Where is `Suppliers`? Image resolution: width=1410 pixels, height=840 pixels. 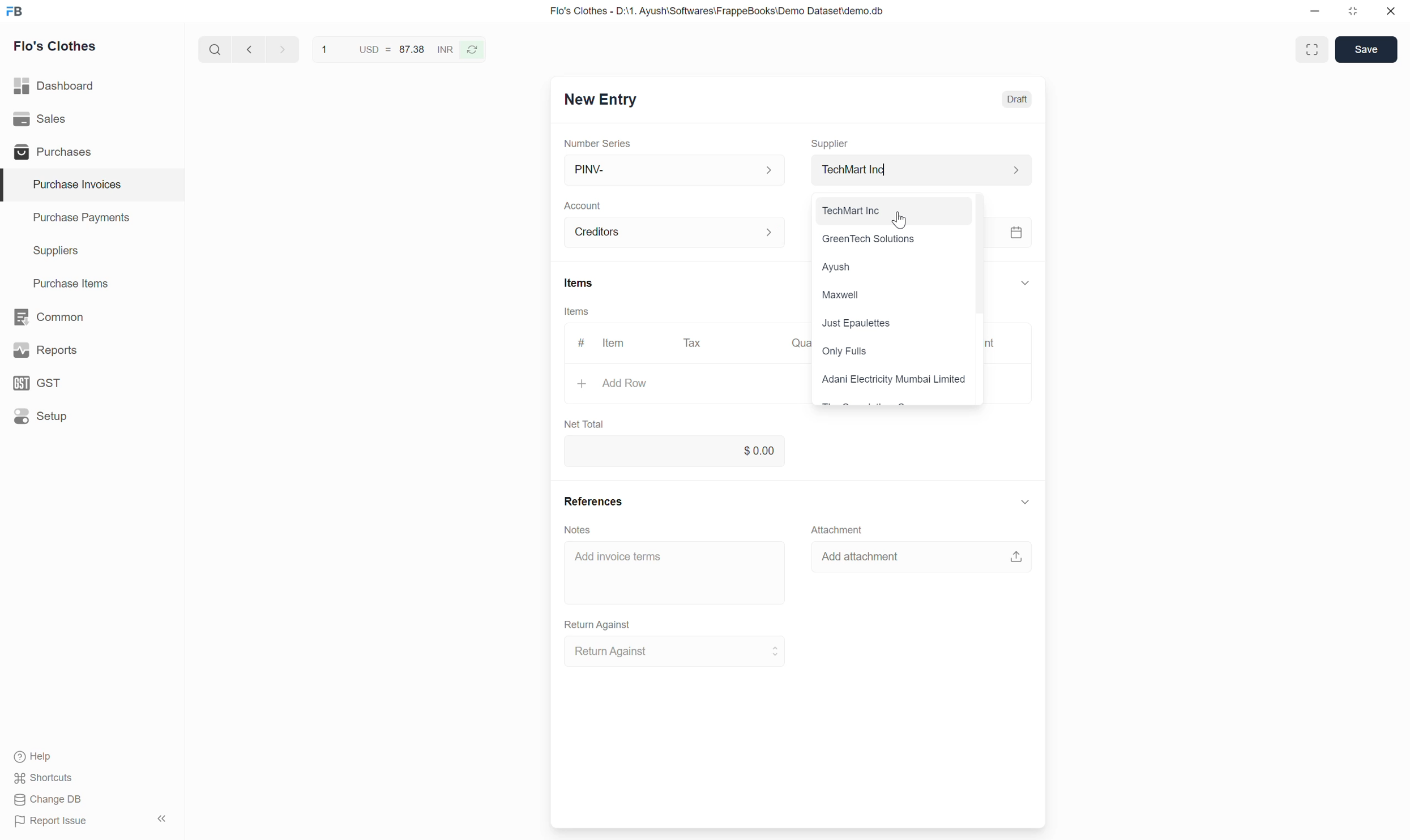 Suppliers is located at coordinates (48, 251).